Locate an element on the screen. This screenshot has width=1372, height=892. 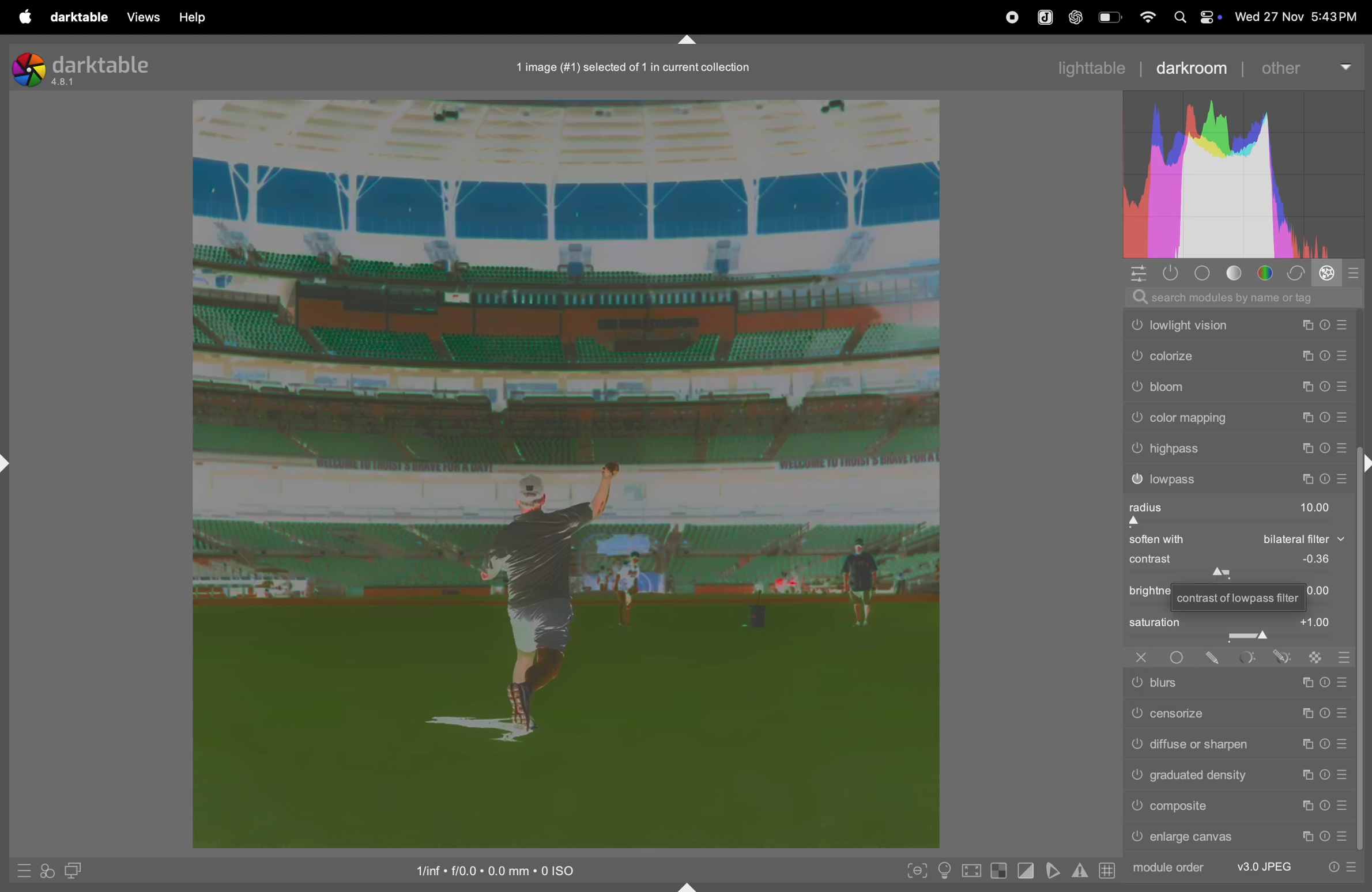
blending options is located at coordinates (1345, 658).